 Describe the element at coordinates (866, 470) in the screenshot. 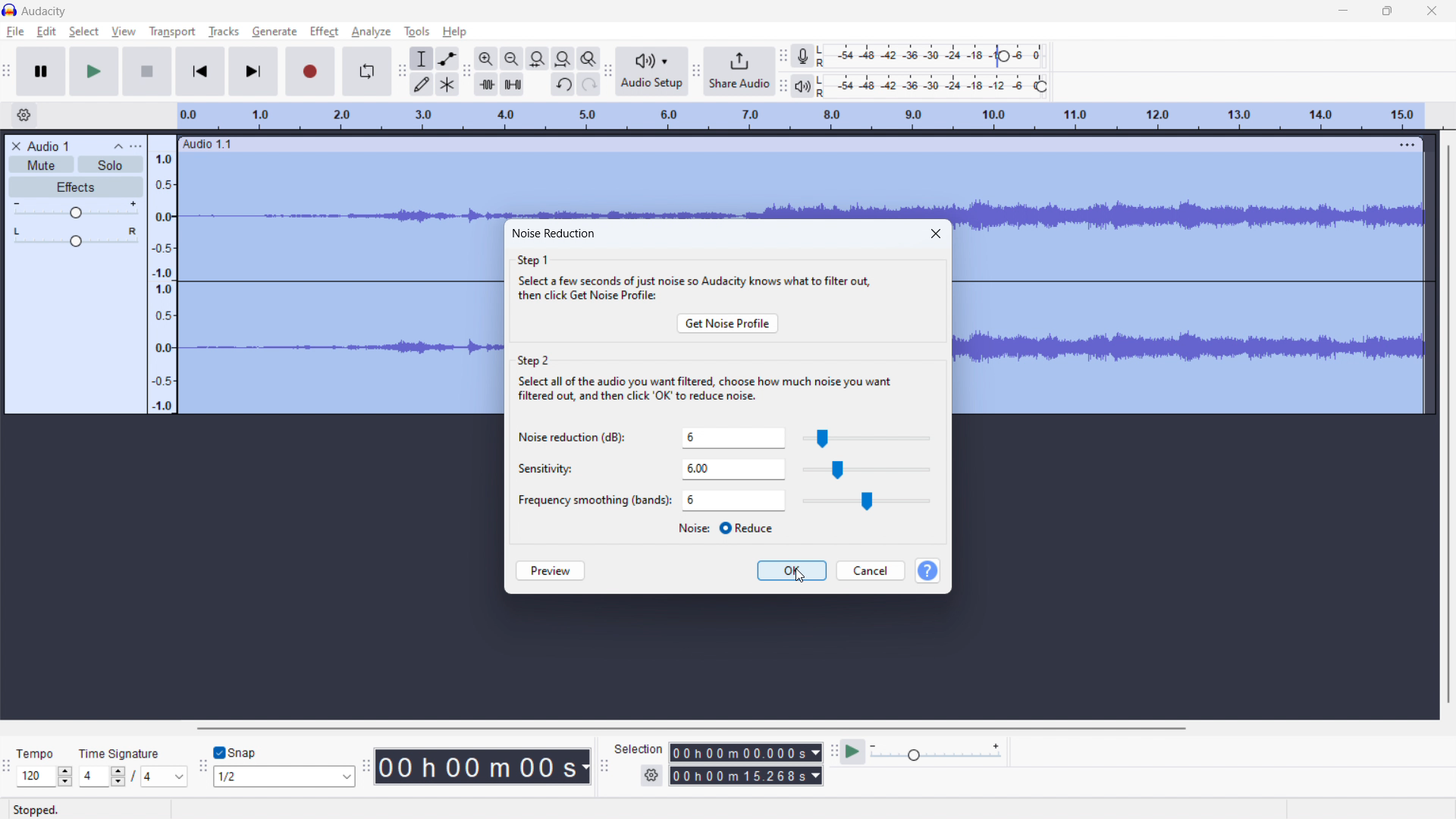

I see `slider for sensitivity` at that location.